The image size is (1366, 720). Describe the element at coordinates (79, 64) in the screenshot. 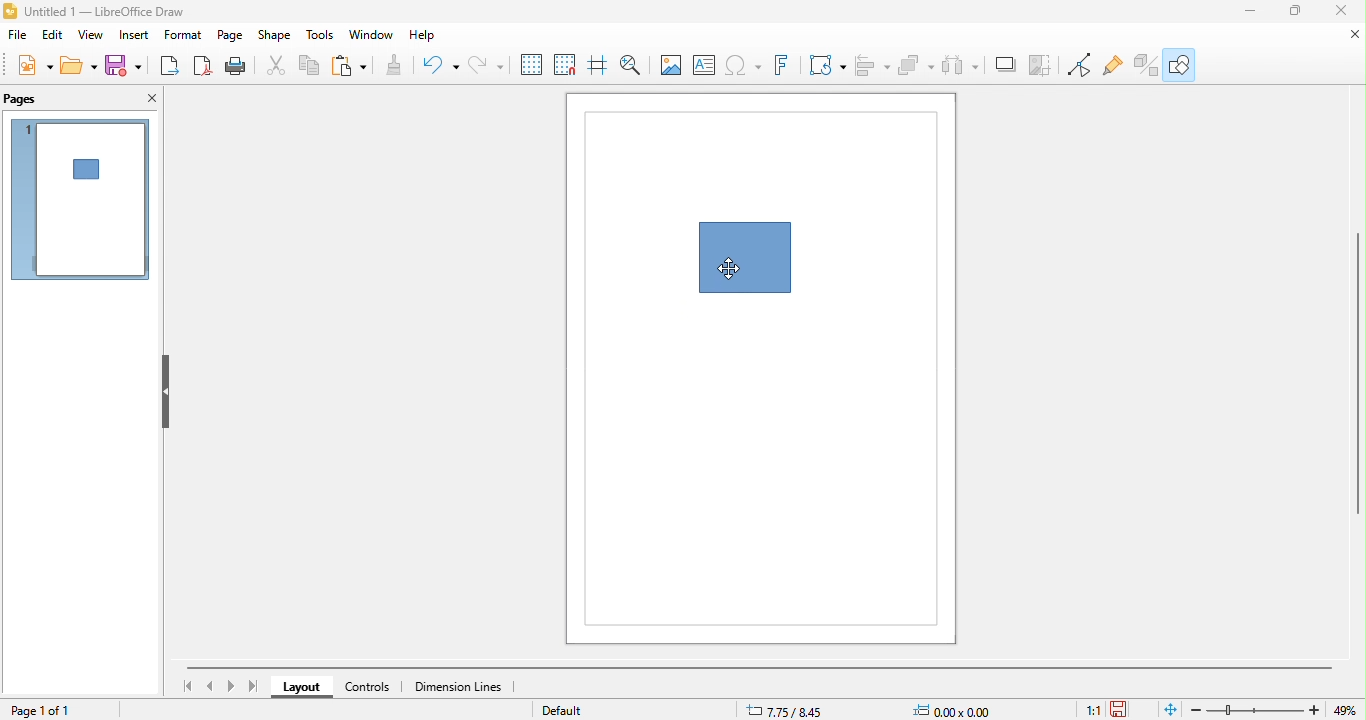

I see `open` at that location.